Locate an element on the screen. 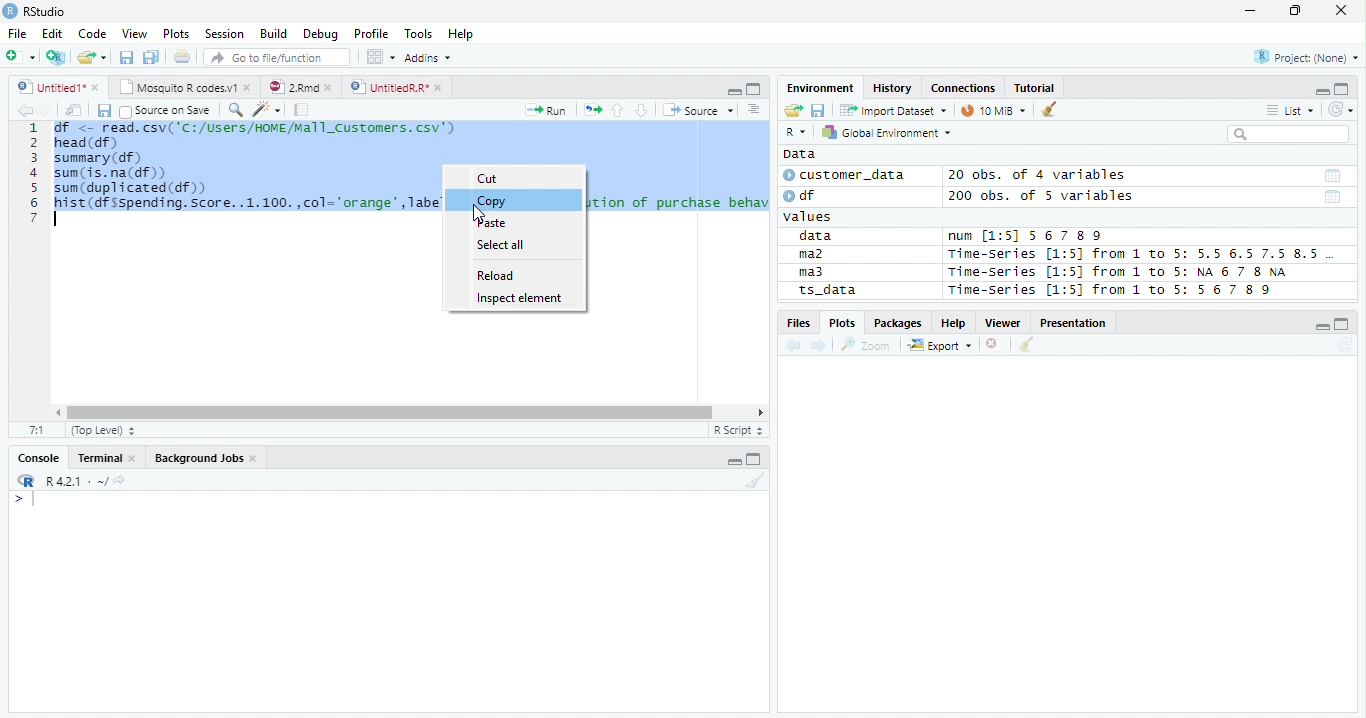  df is located at coordinates (806, 195).